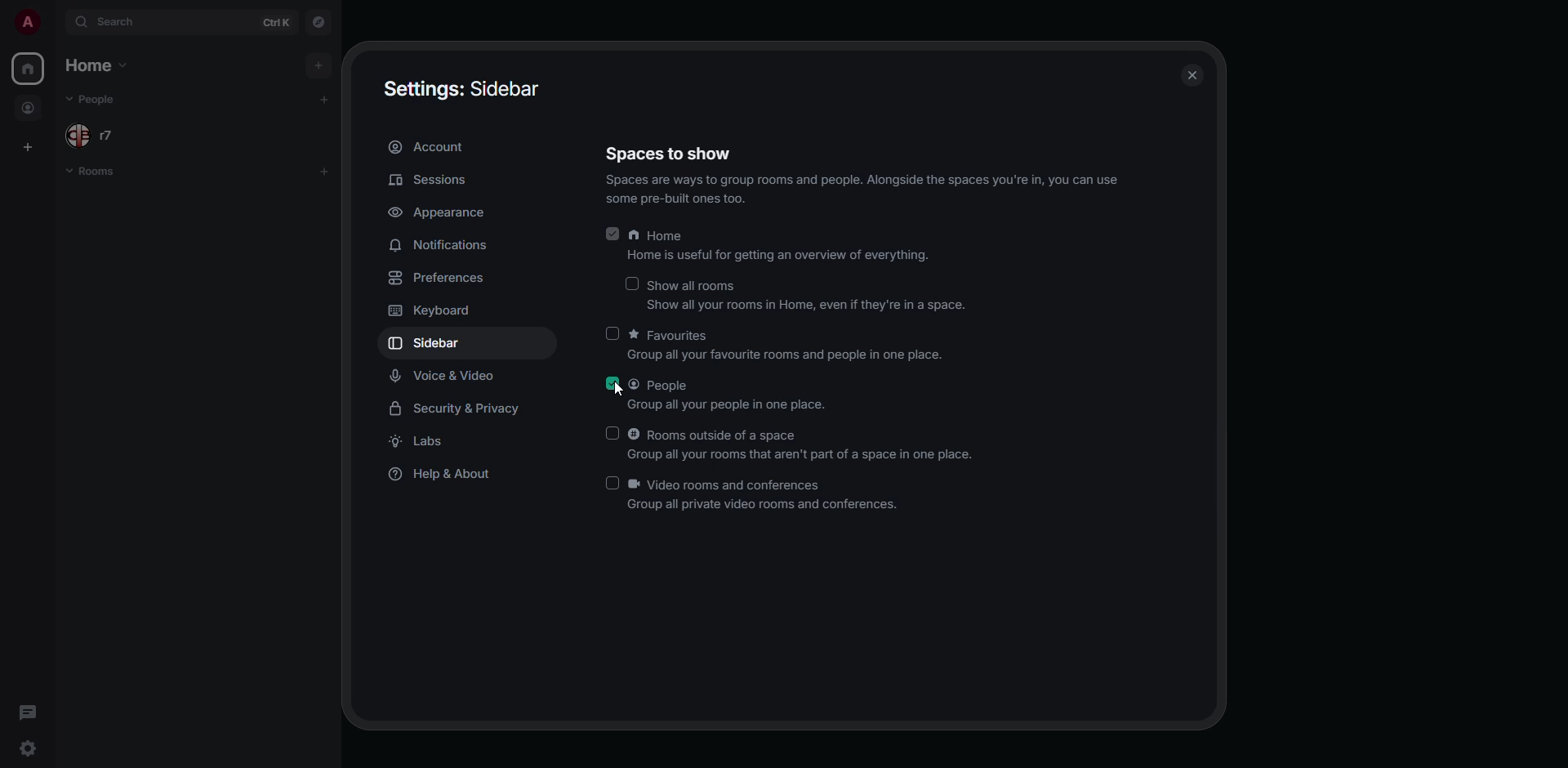 This screenshot has height=768, width=1568. What do you see at coordinates (767, 244) in the screenshot?
I see `HomeHome is useful for getting an overview of everything.` at bounding box center [767, 244].